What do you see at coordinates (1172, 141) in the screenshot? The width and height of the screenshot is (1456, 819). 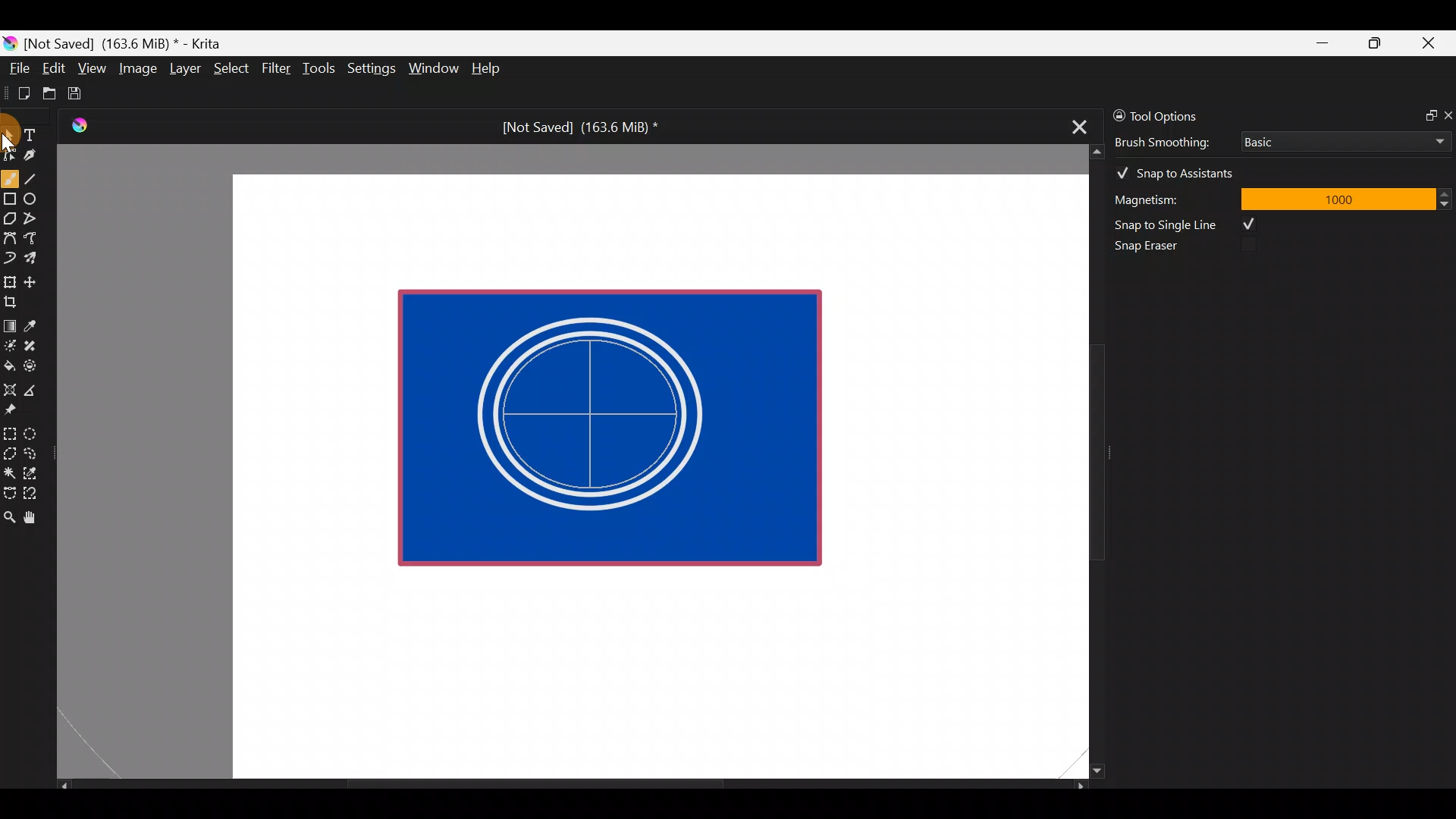 I see `Brush smoothing` at bounding box center [1172, 141].